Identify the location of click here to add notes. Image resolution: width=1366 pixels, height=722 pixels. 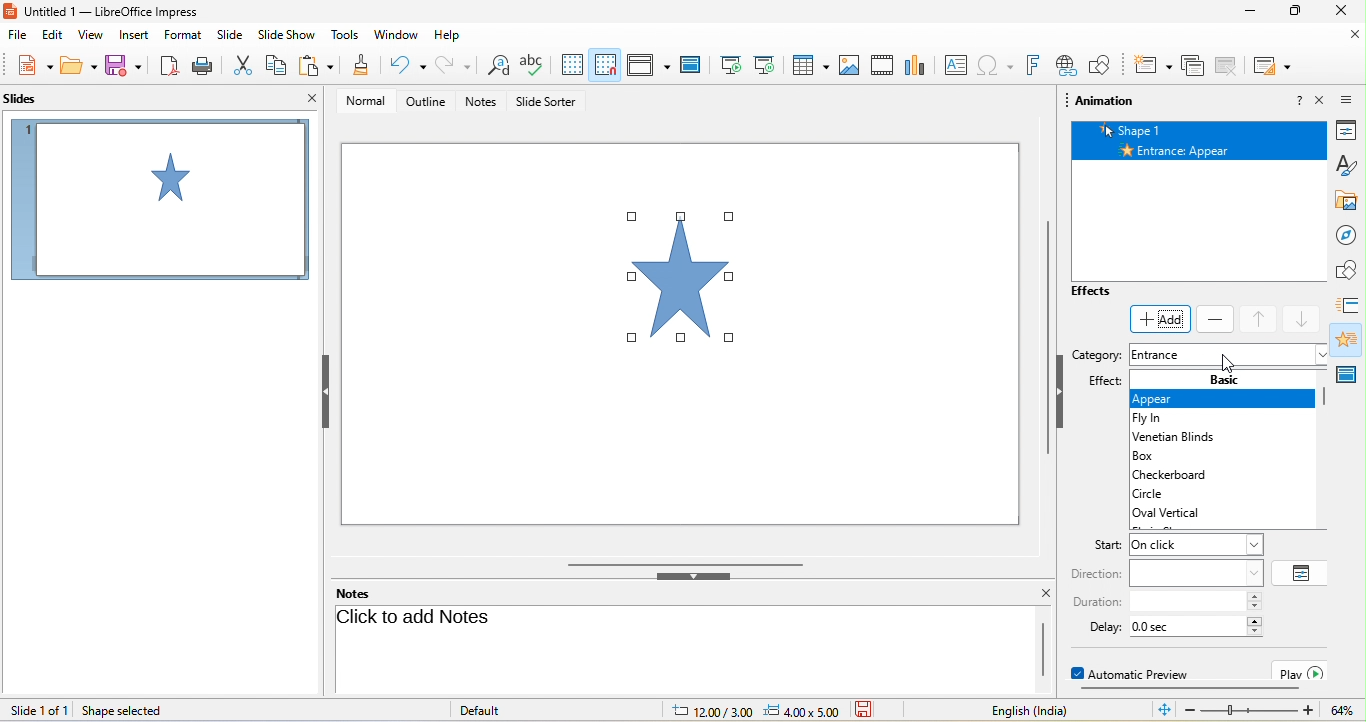
(680, 646).